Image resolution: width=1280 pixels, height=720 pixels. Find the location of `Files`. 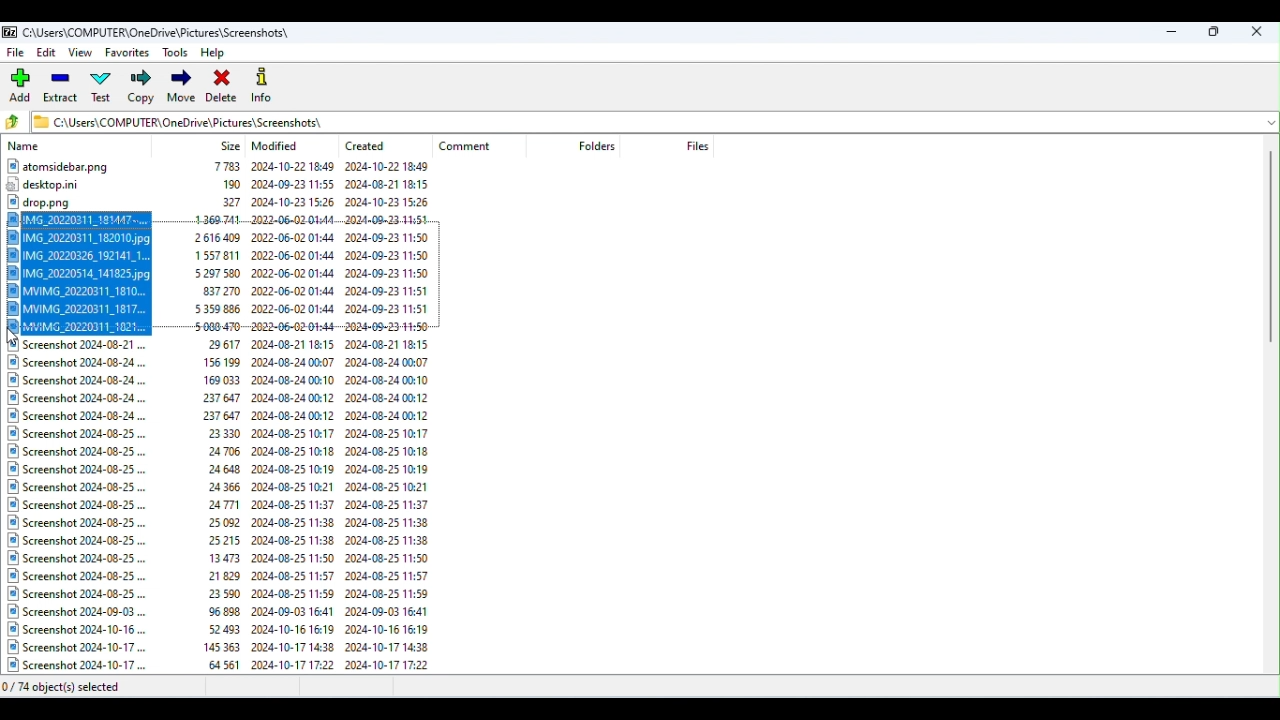

Files is located at coordinates (231, 508).